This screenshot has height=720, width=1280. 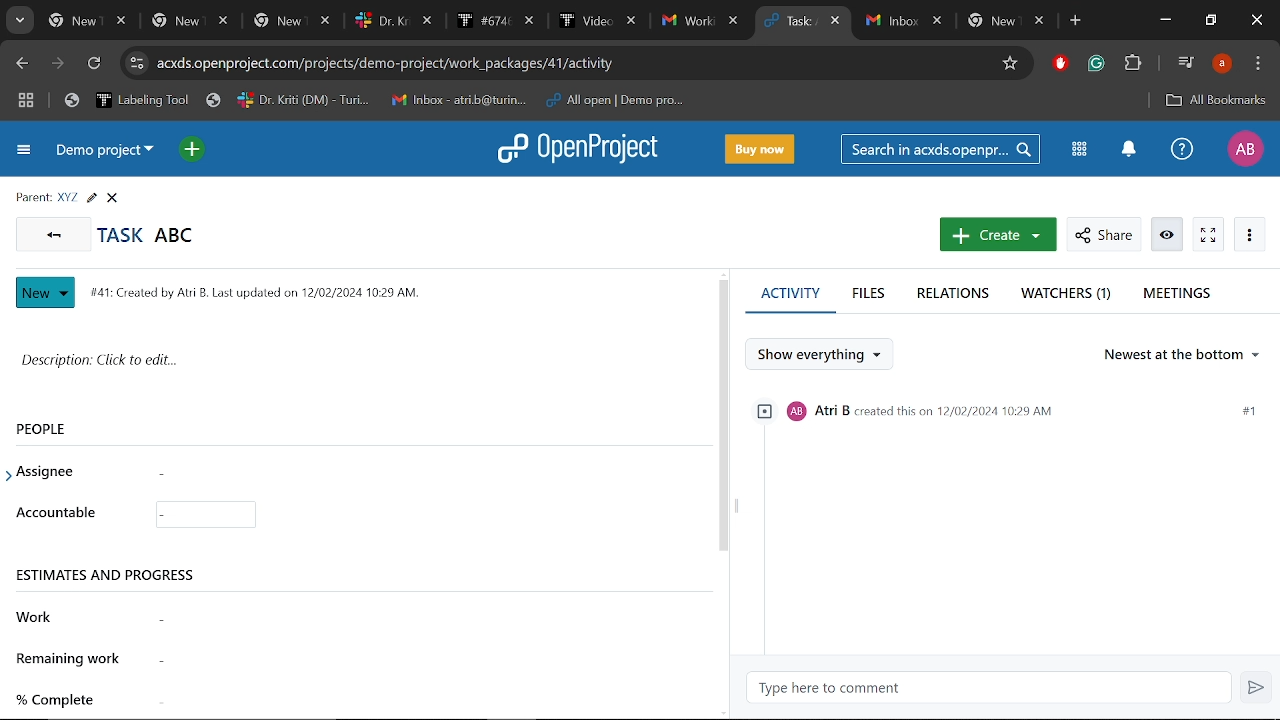 I want to click on Notification, so click(x=1132, y=151).